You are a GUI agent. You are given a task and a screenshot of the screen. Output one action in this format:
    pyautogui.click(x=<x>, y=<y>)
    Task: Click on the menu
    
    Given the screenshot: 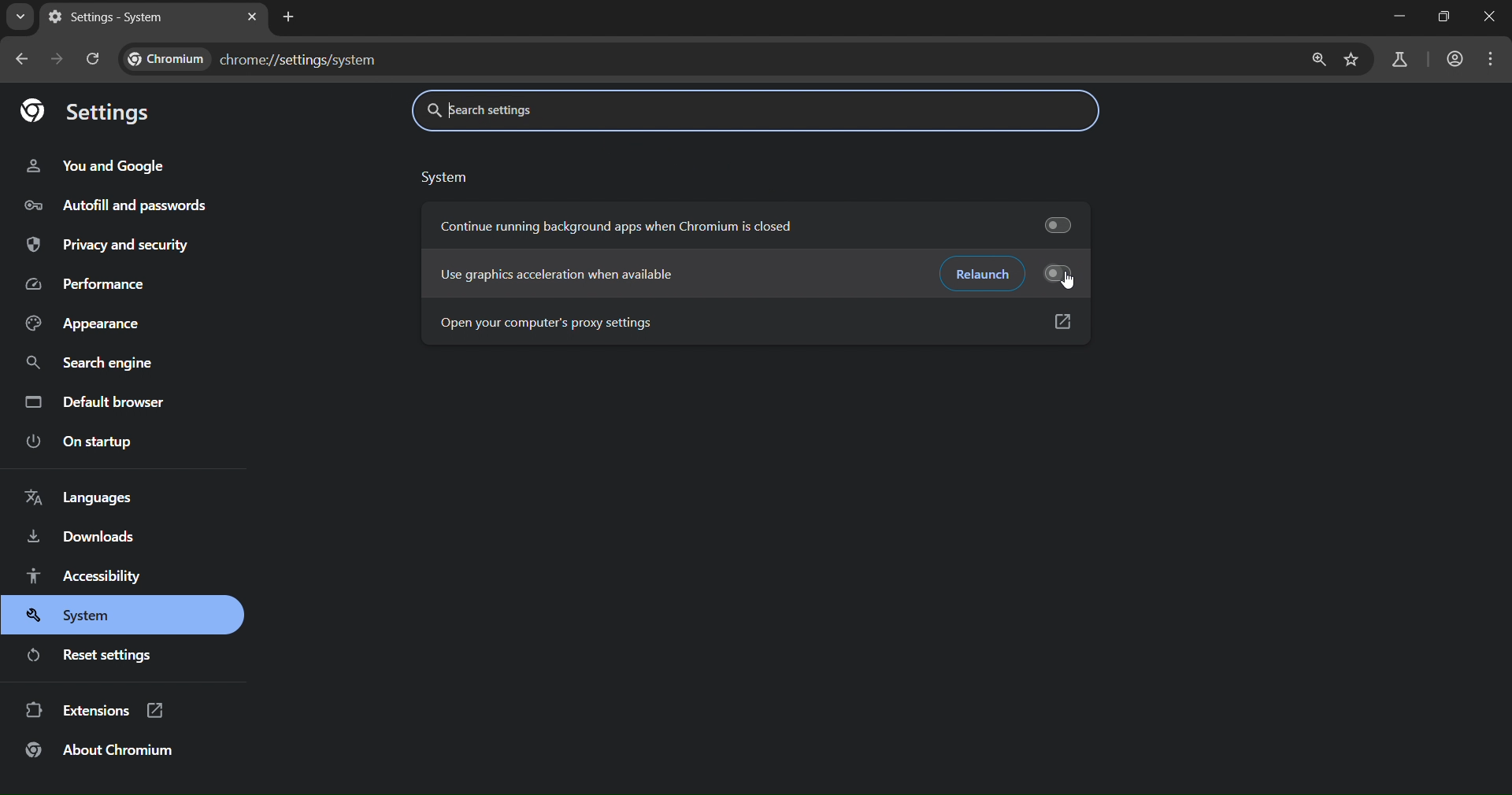 What is the action you would take?
    pyautogui.click(x=1496, y=58)
    